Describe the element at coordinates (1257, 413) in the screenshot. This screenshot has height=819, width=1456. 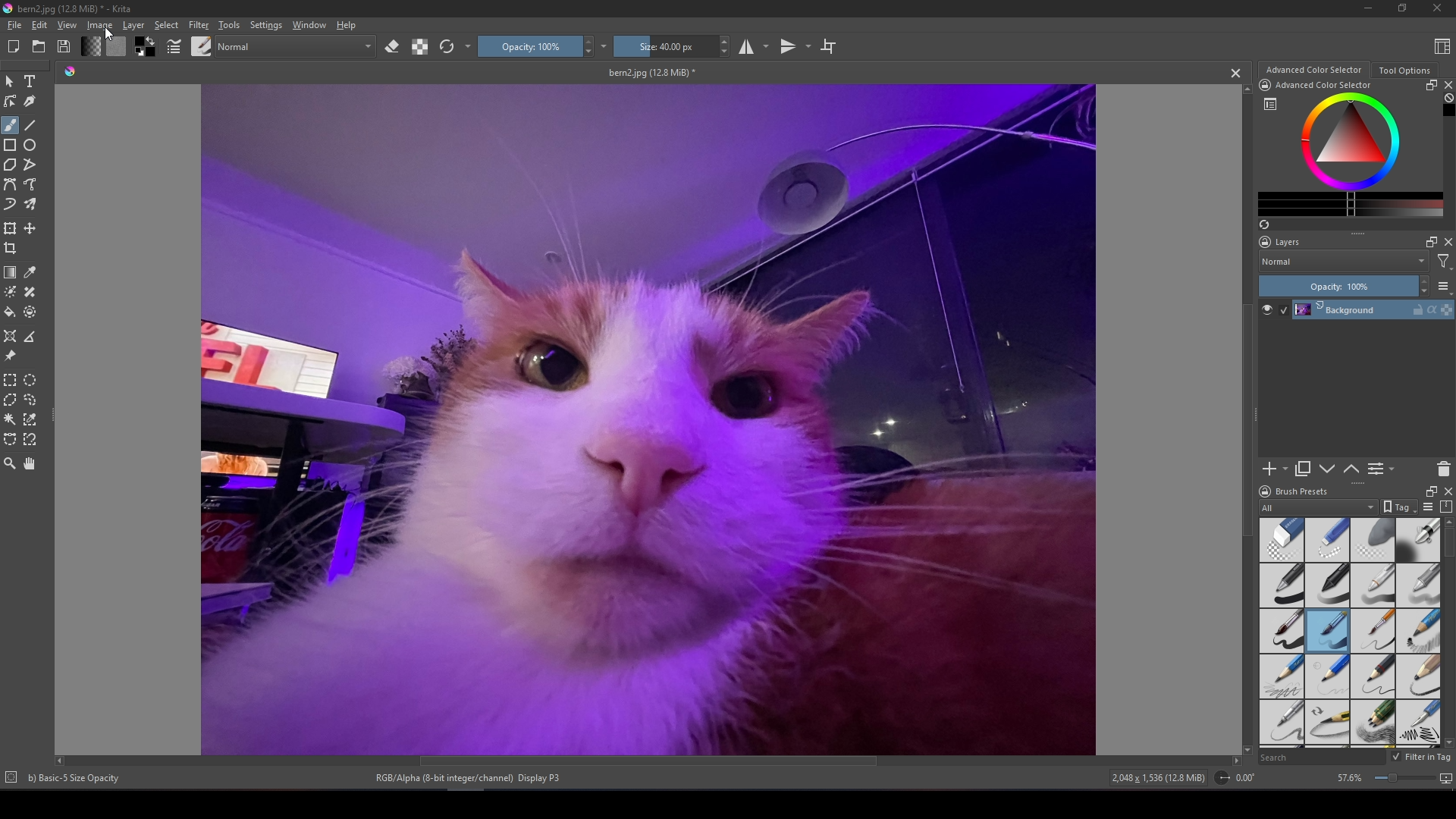
I see `Left panel slider` at that location.